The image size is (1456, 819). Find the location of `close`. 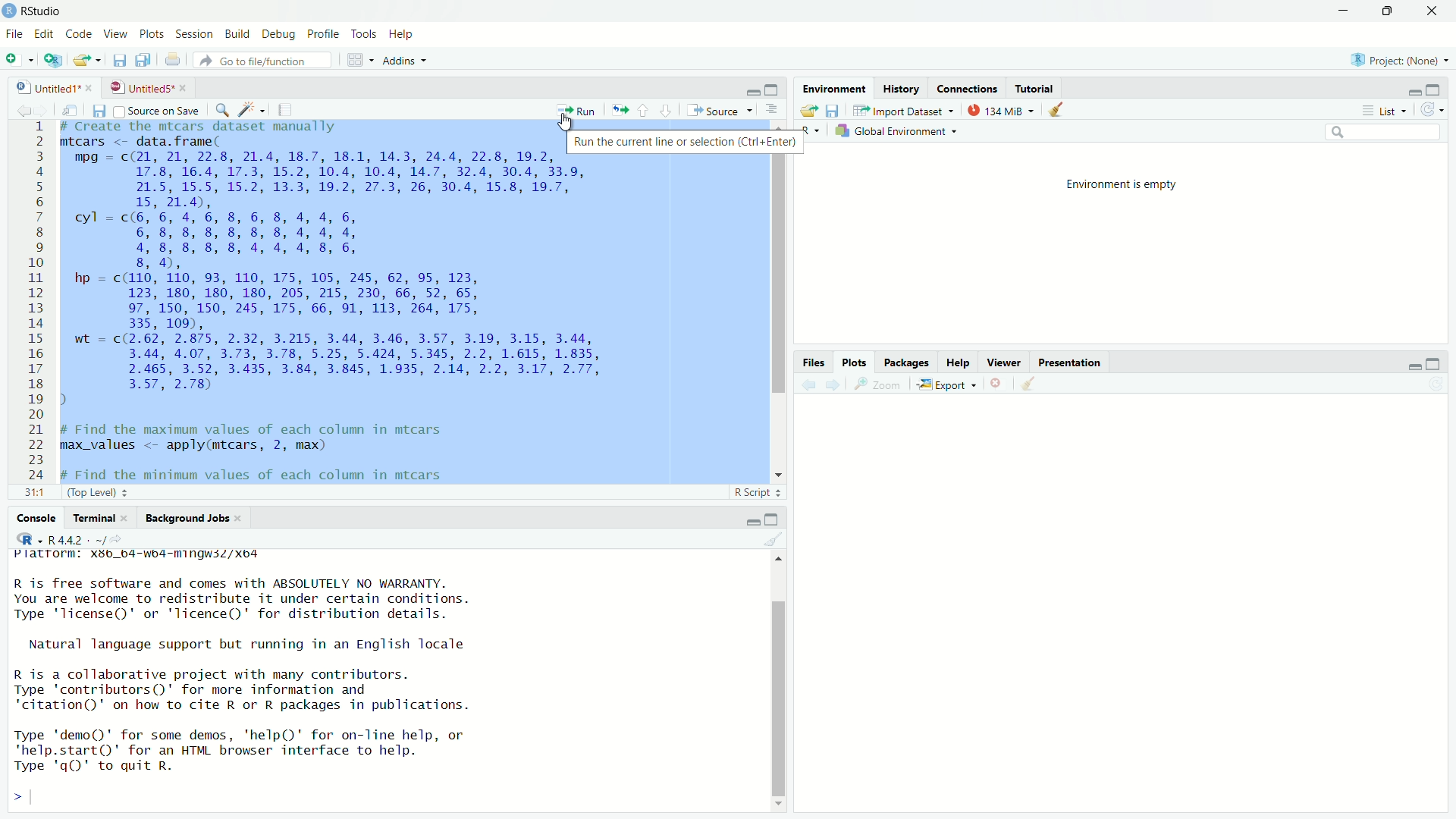

close is located at coordinates (999, 382).